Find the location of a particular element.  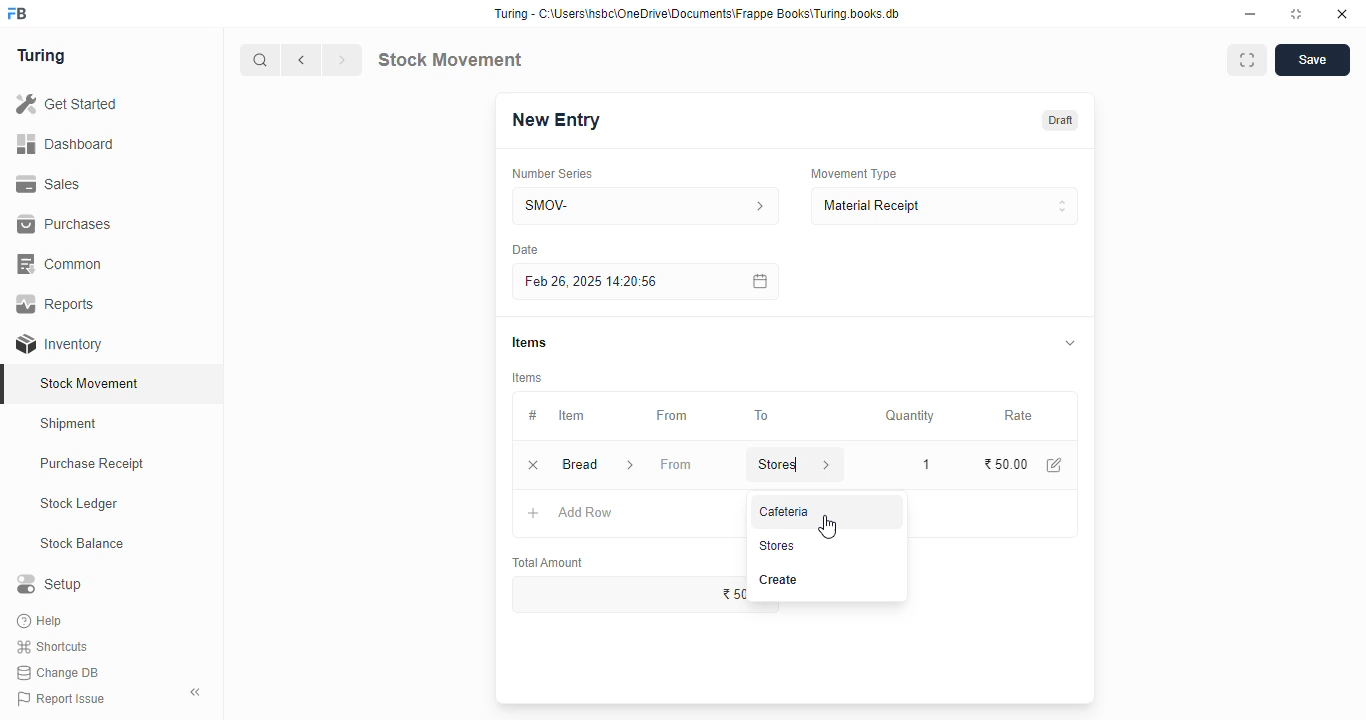

common is located at coordinates (62, 264).